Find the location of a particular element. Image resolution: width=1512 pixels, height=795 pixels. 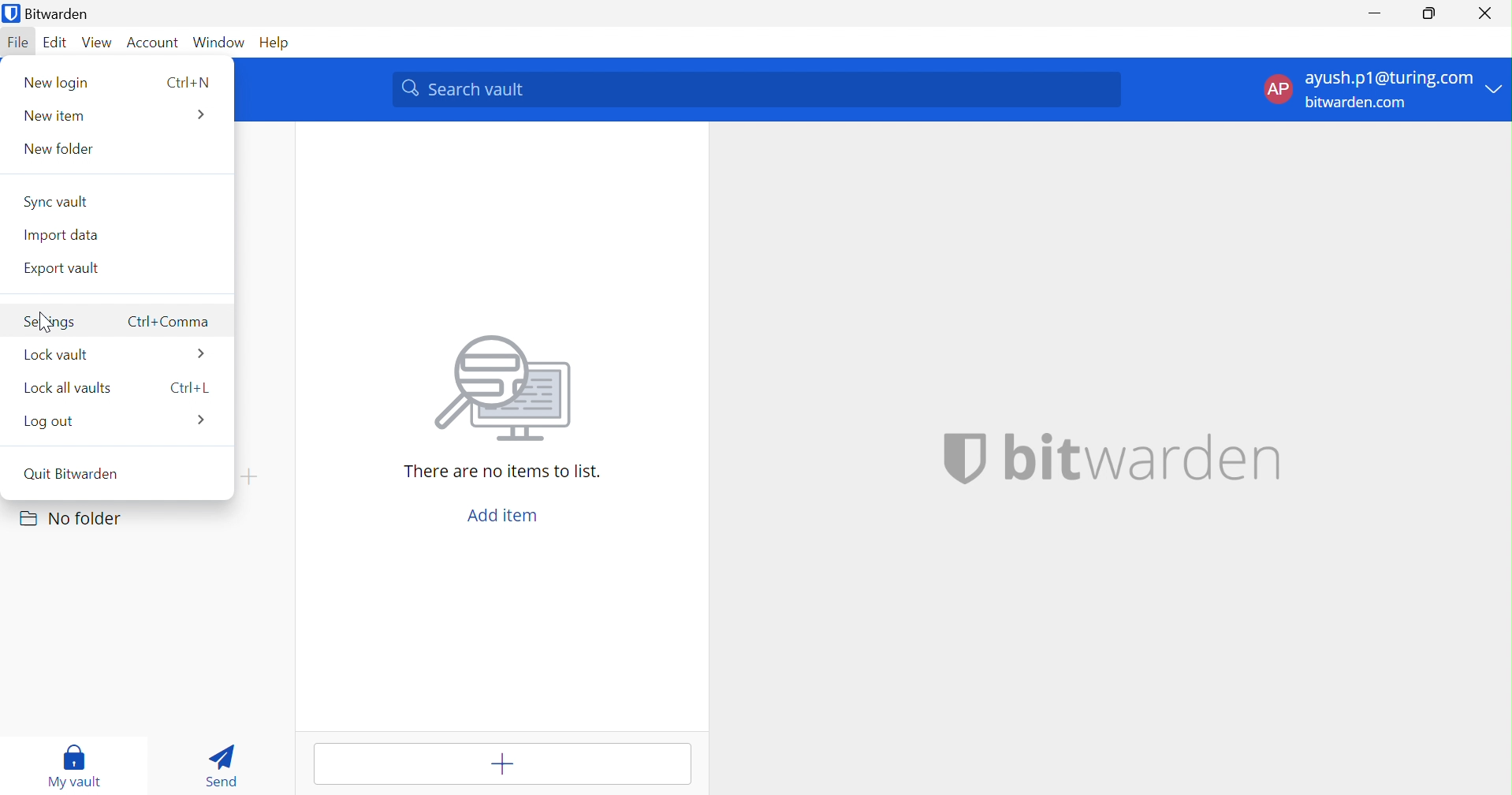

cursor is located at coordinates (46, 324).